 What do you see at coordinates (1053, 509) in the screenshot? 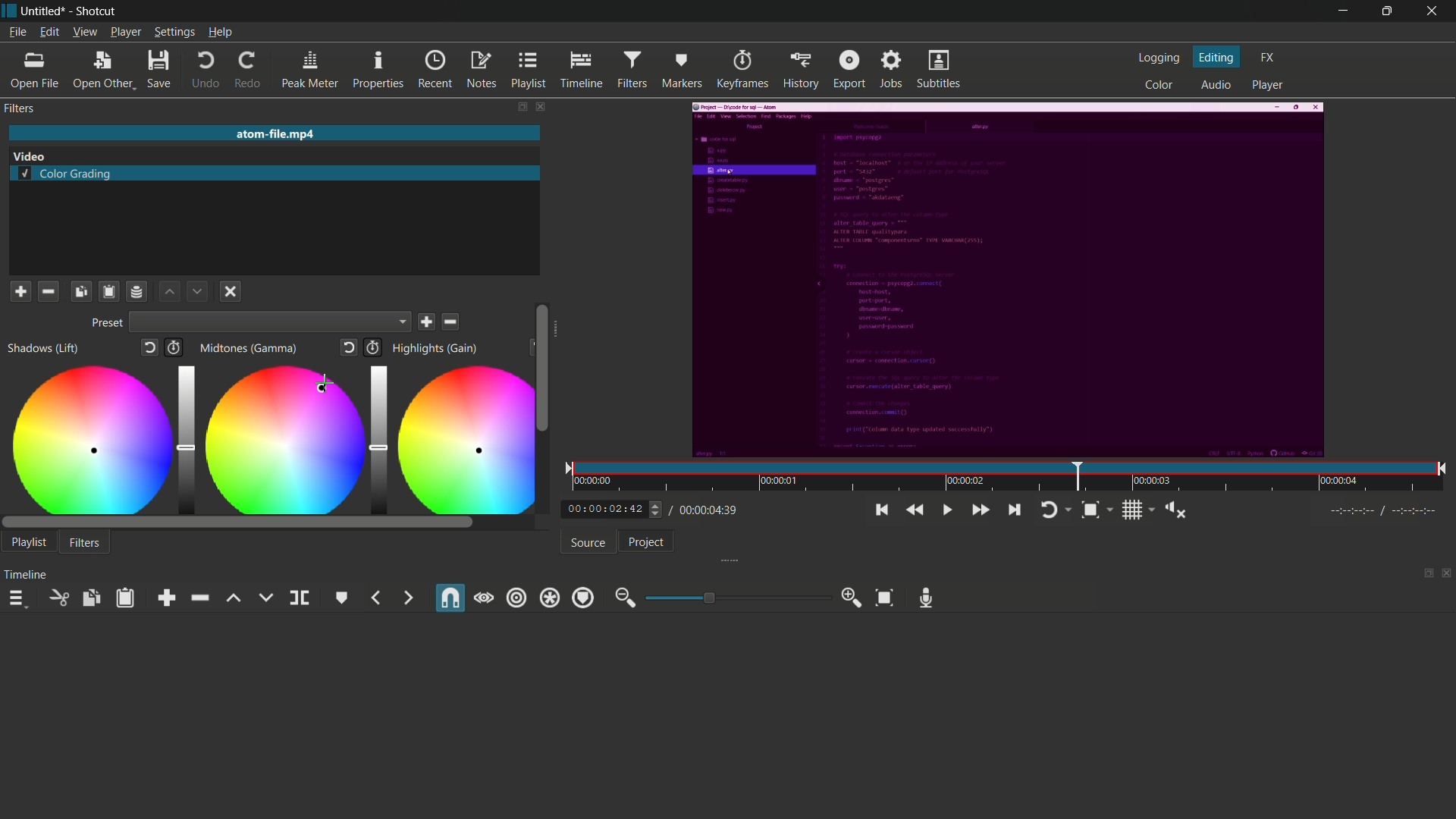
I see `toggle player looping` at bounding box center [1053, 509].